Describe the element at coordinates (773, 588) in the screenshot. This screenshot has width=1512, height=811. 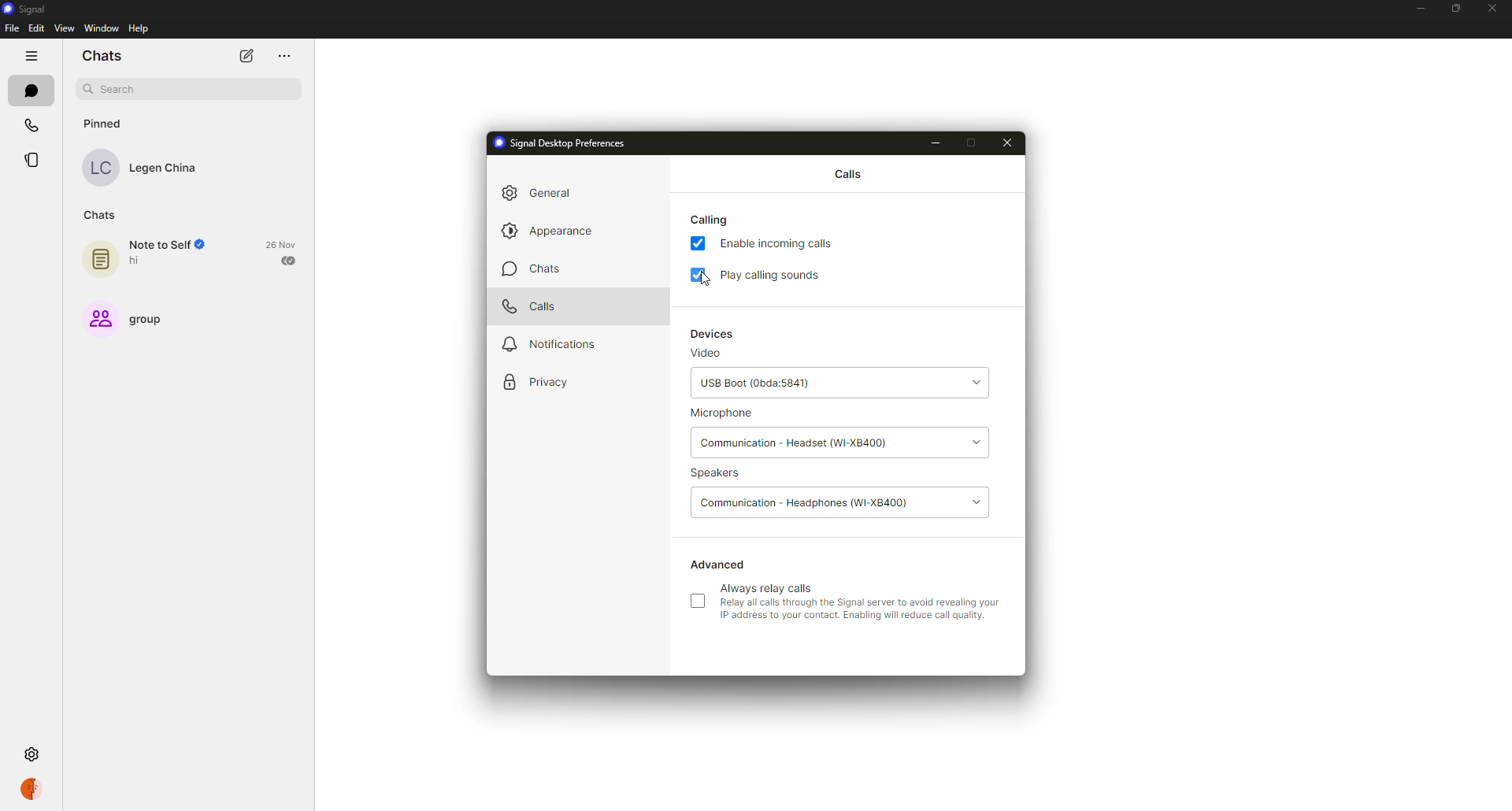
I see `always relay calls` at that location.